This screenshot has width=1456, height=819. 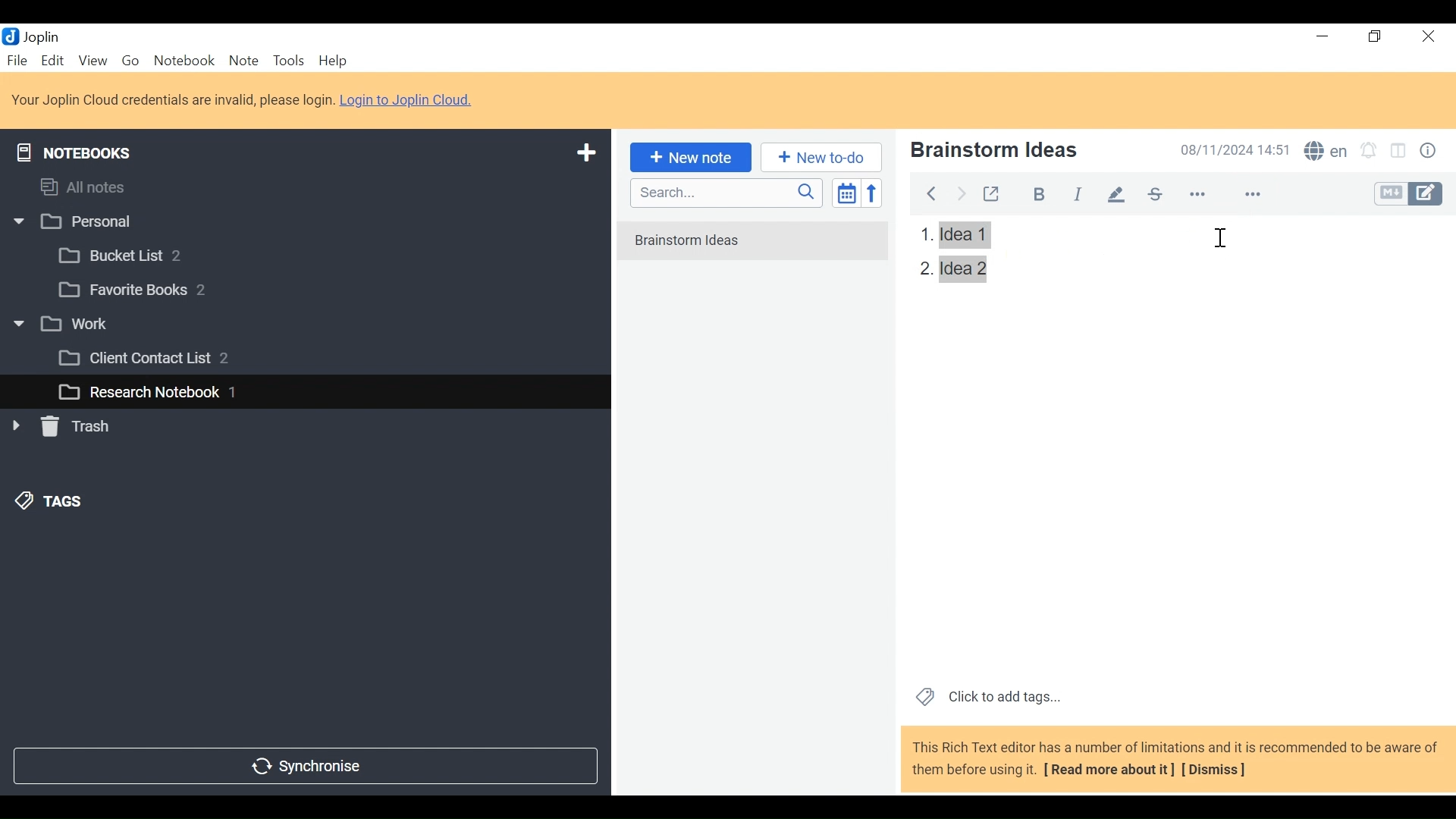 What do you see at coordinates (875, 193) in the screenshot?
I see `Reverse Sort order` at bounding box center [875, 193].